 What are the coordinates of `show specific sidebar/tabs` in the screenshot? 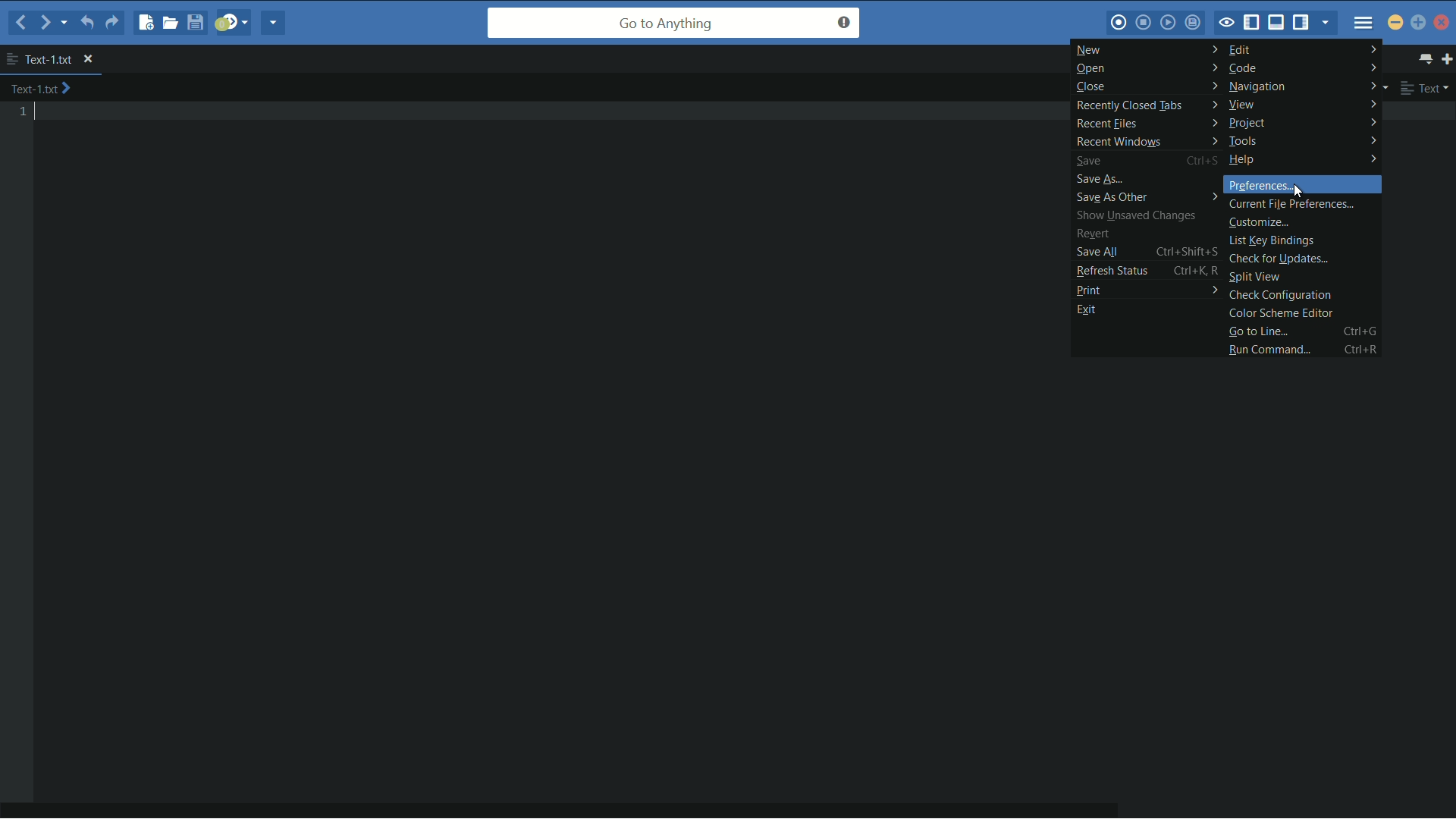 It's located at (1326, 24).